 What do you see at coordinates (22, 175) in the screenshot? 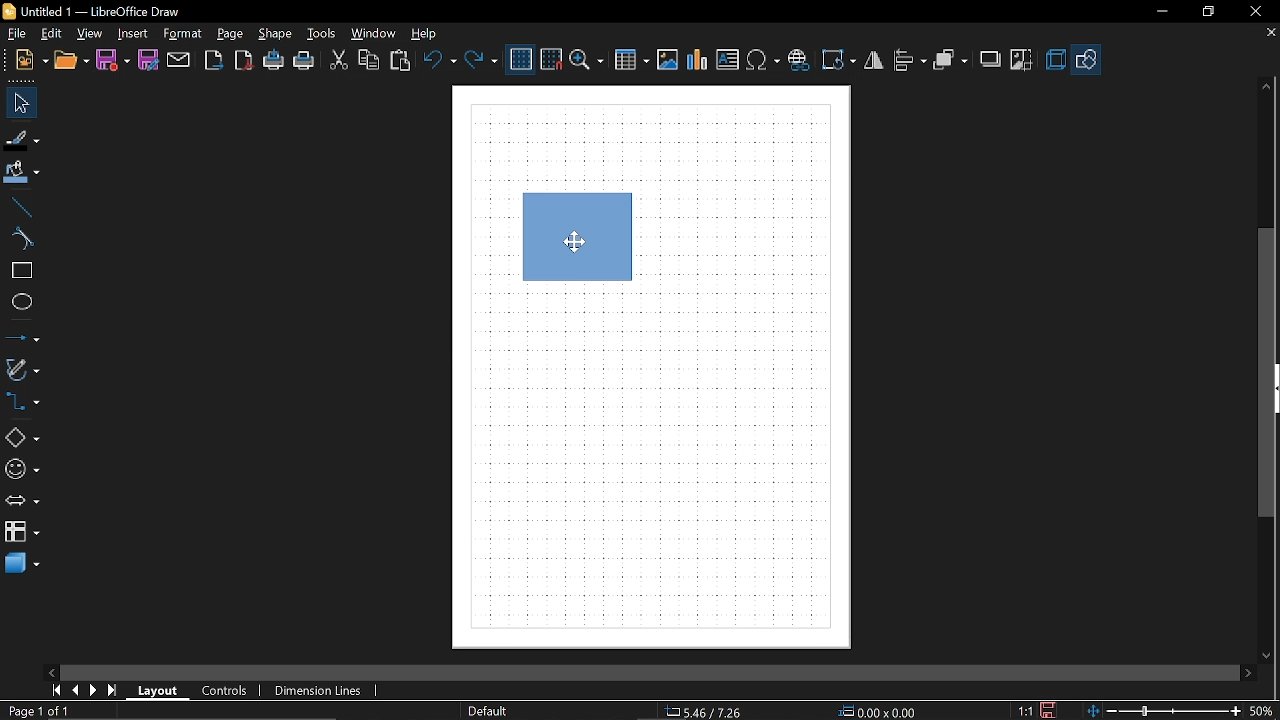
I see `Fill color` at bounding box center [22, 175].